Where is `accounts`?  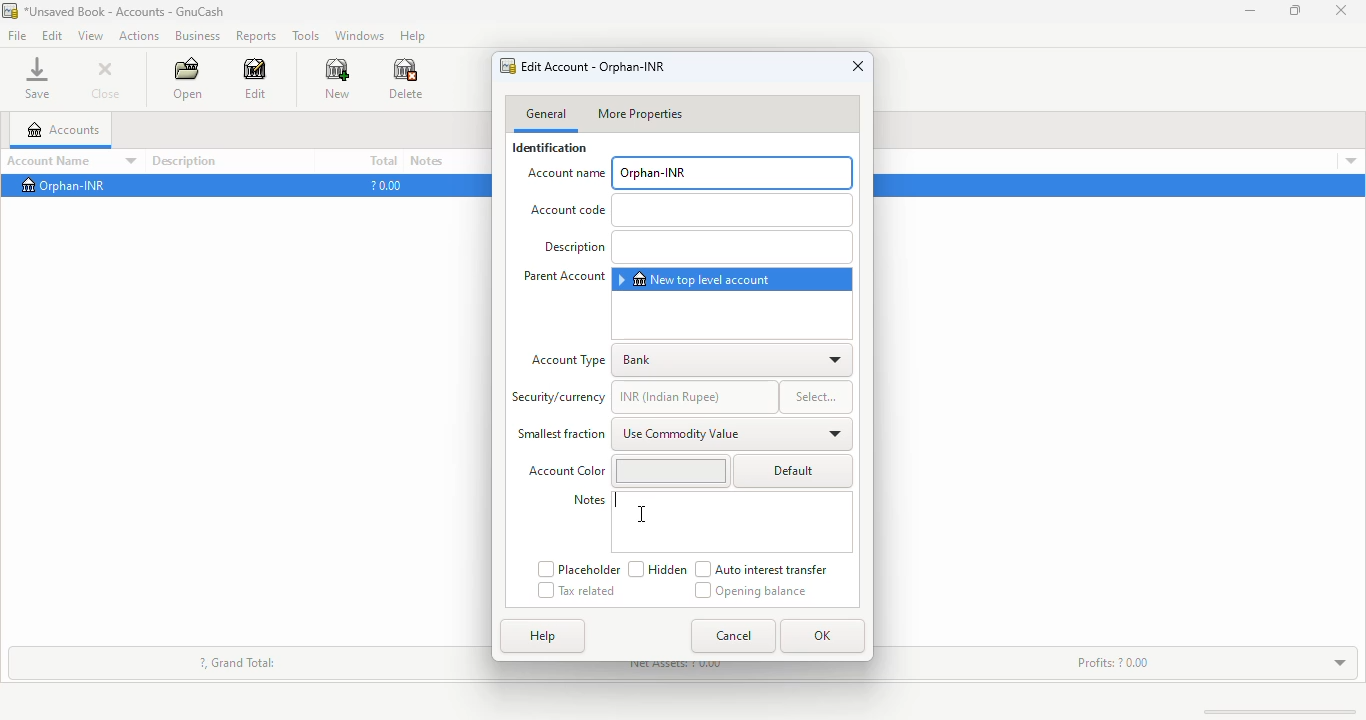
accounts is located at coordinates (62, 130).